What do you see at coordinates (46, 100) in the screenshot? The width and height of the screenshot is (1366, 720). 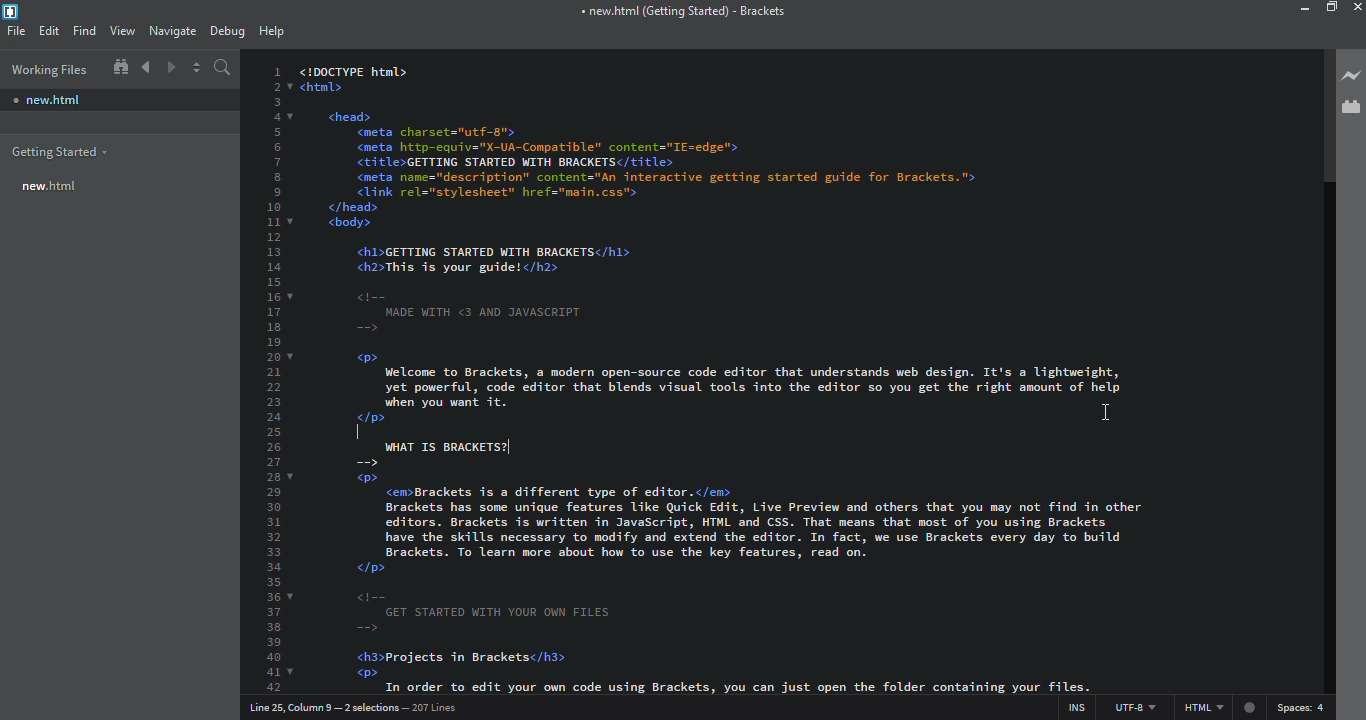 I see `new` at bounding box center [46, 100].